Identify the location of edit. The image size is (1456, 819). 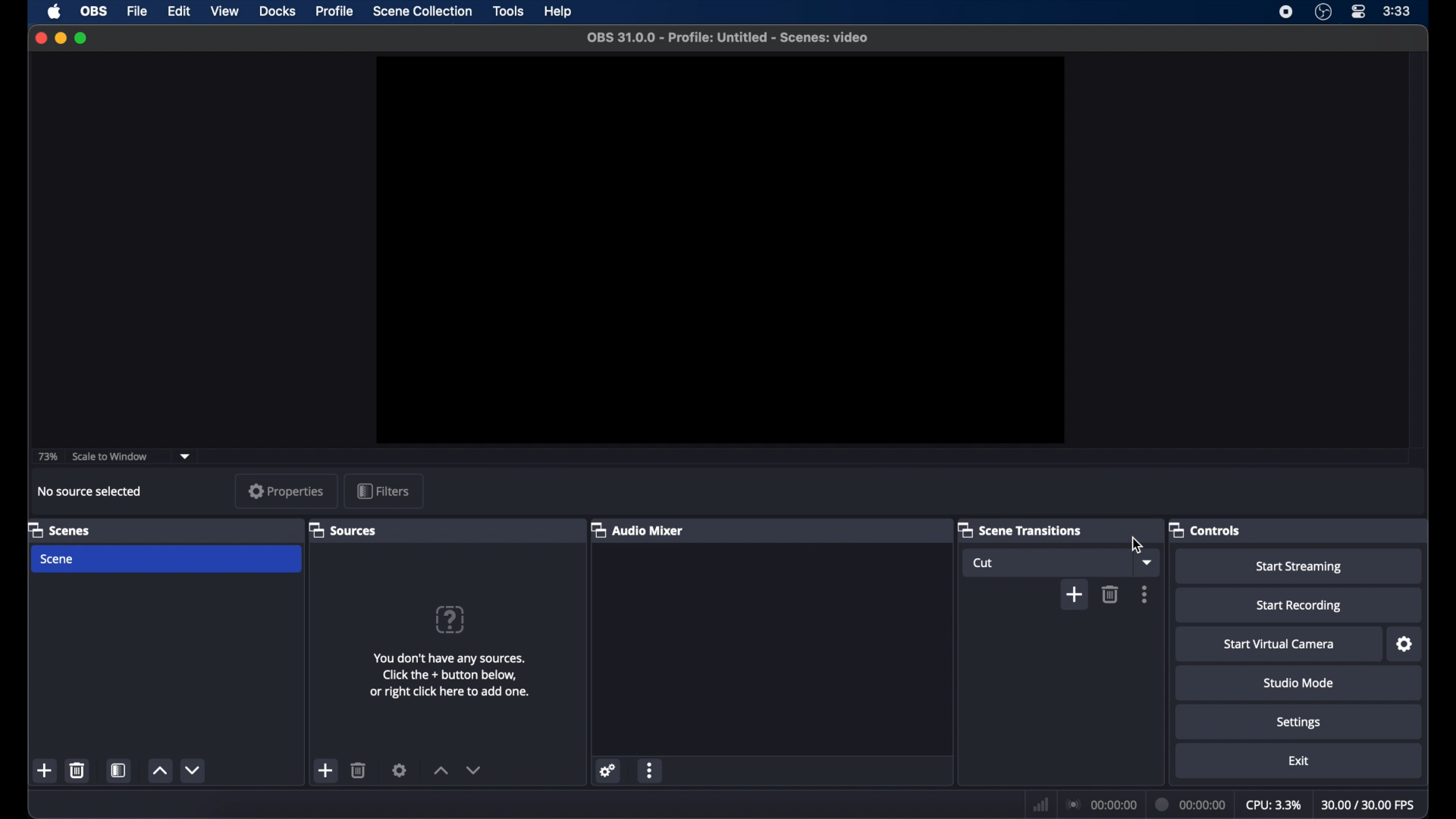
(180, 11).